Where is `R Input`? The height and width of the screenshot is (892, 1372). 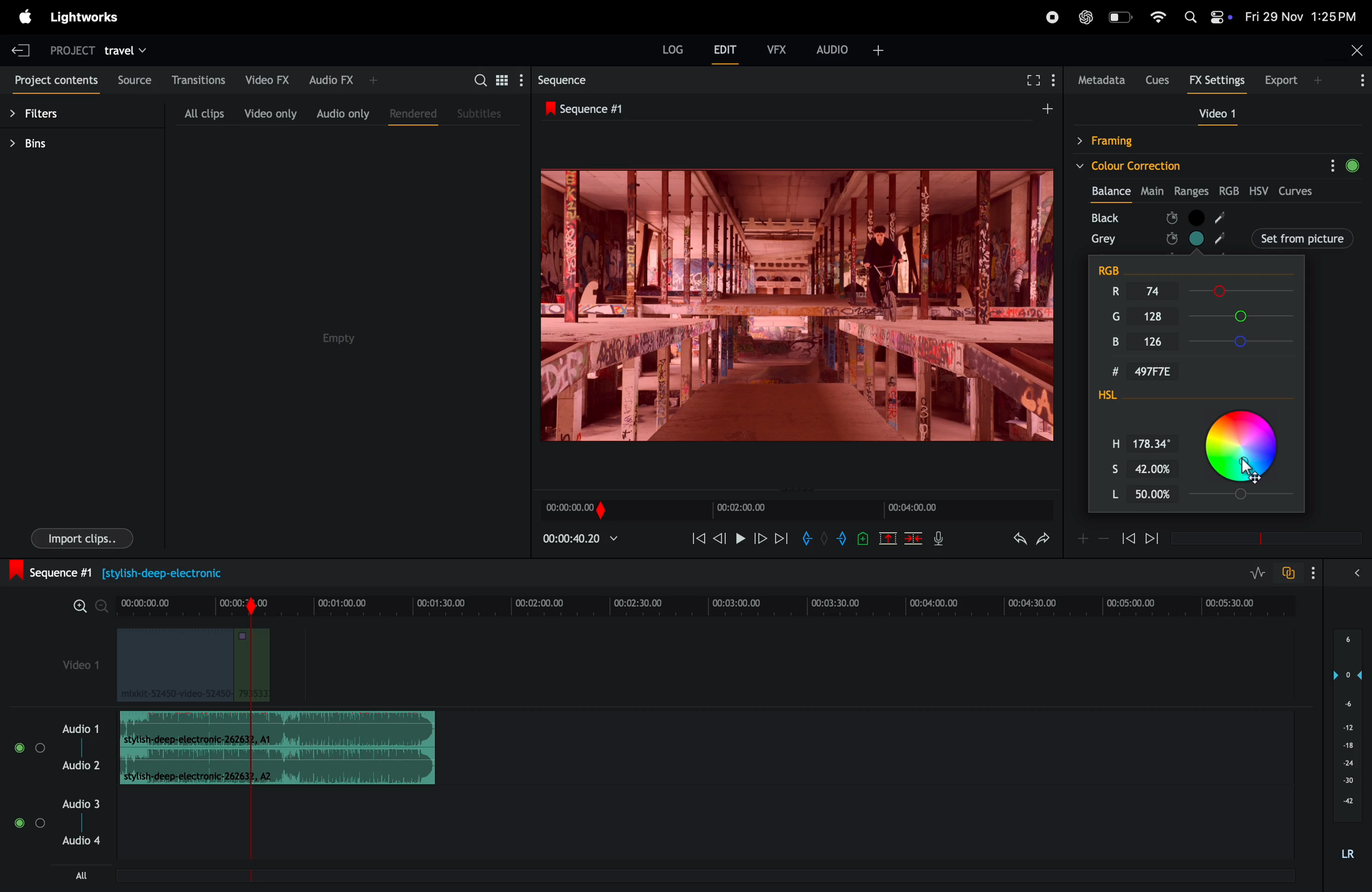 R Input is located at coordinates (1163, 292).